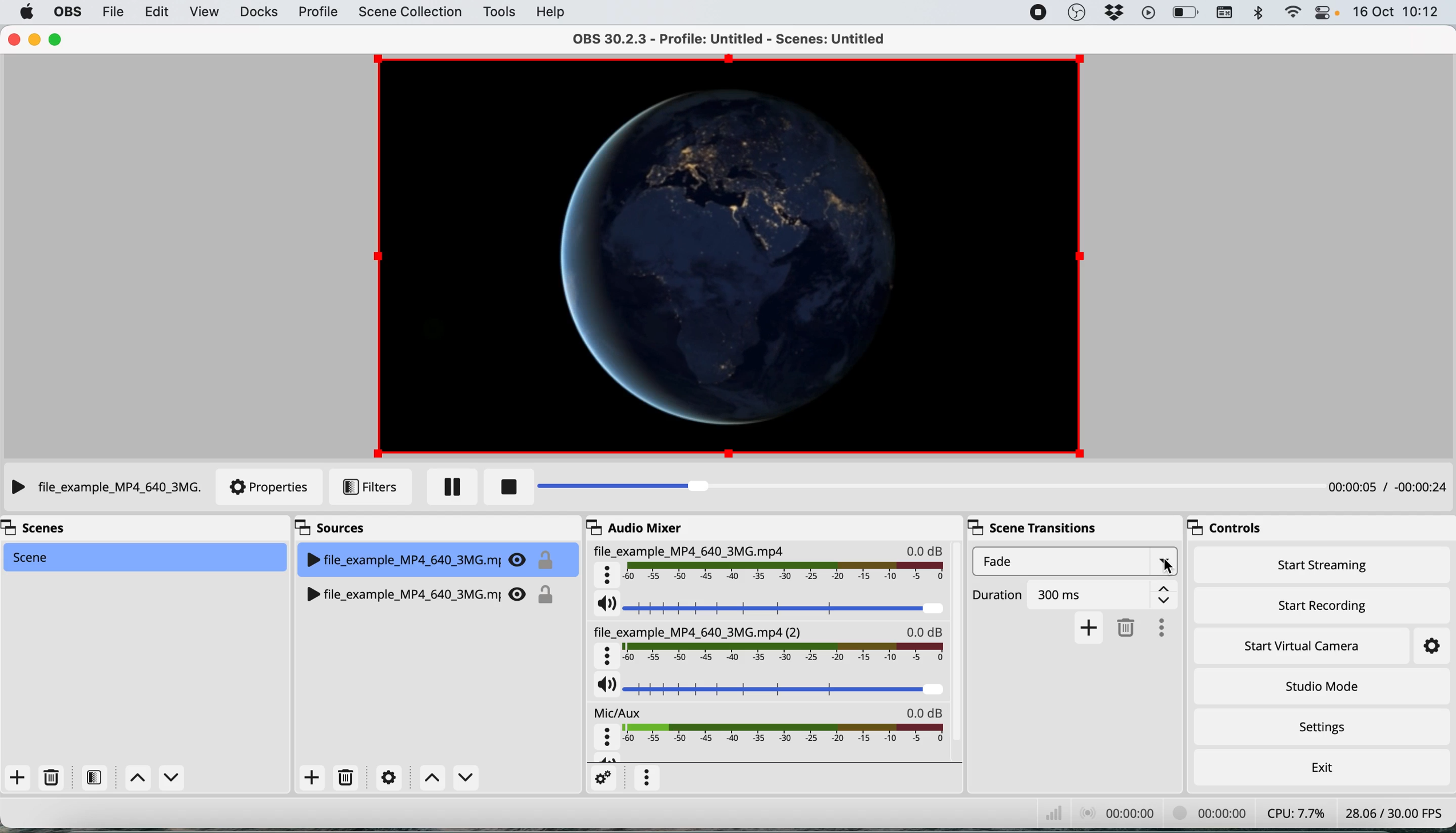 Image resolution: width=1456 pixels, height=833 pixels. I want to click on more options, so click(1160, 627).